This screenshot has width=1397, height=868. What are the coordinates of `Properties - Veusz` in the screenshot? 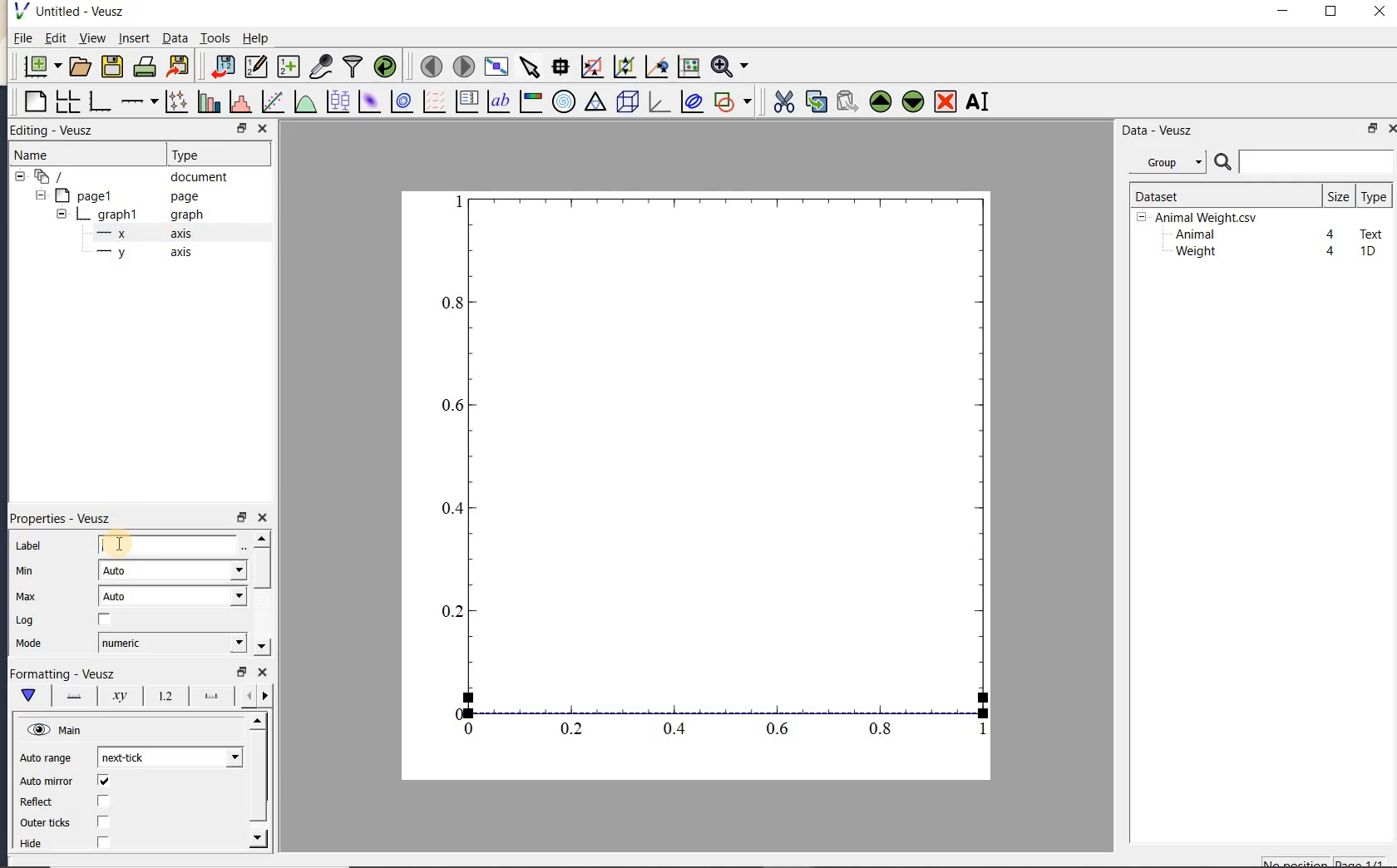 It's located at (66, 518).